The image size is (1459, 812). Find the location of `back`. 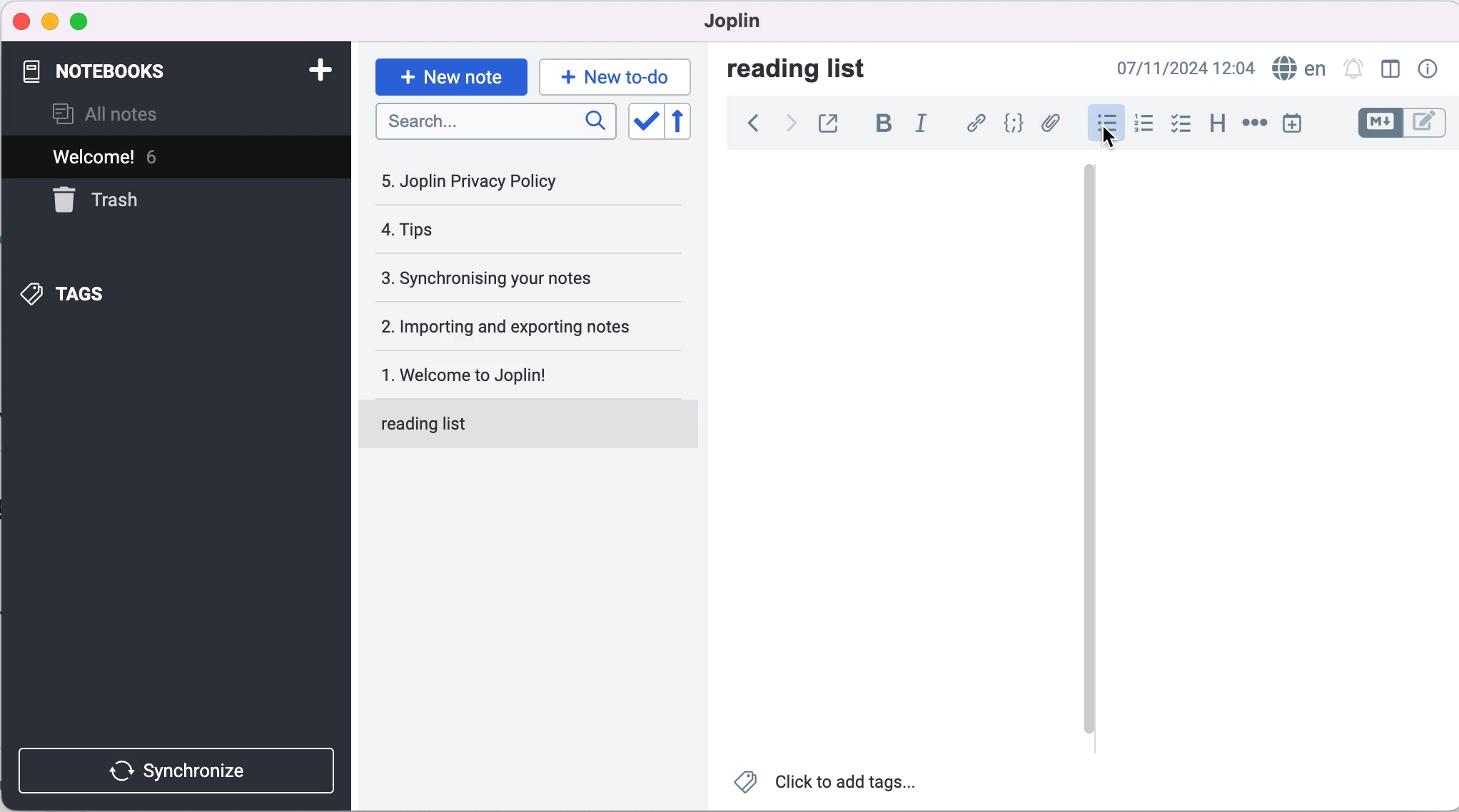

back is located at coordinates (749, 123).